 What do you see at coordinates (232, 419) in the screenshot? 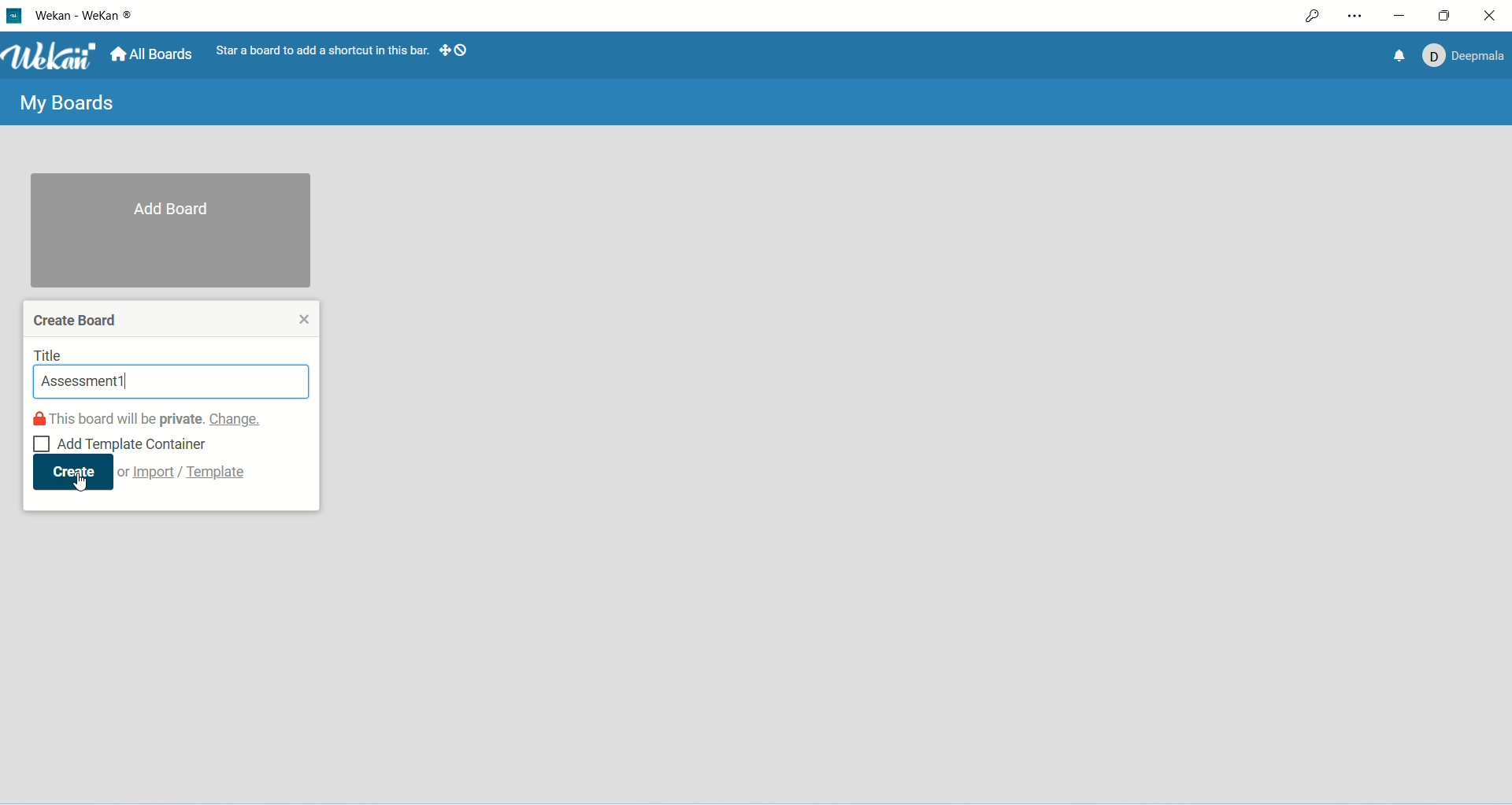
I see `change` at bounding box center [232, 419].